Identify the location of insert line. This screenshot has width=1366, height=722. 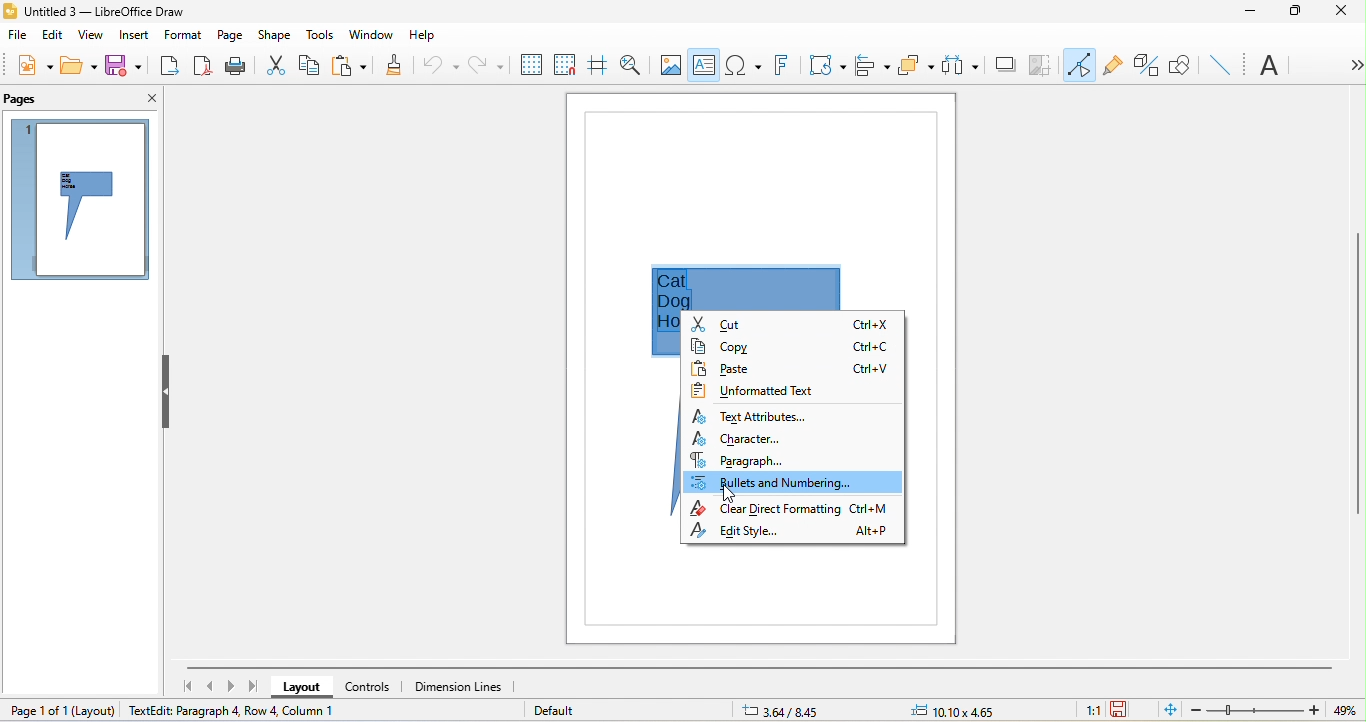
(1220, 63).